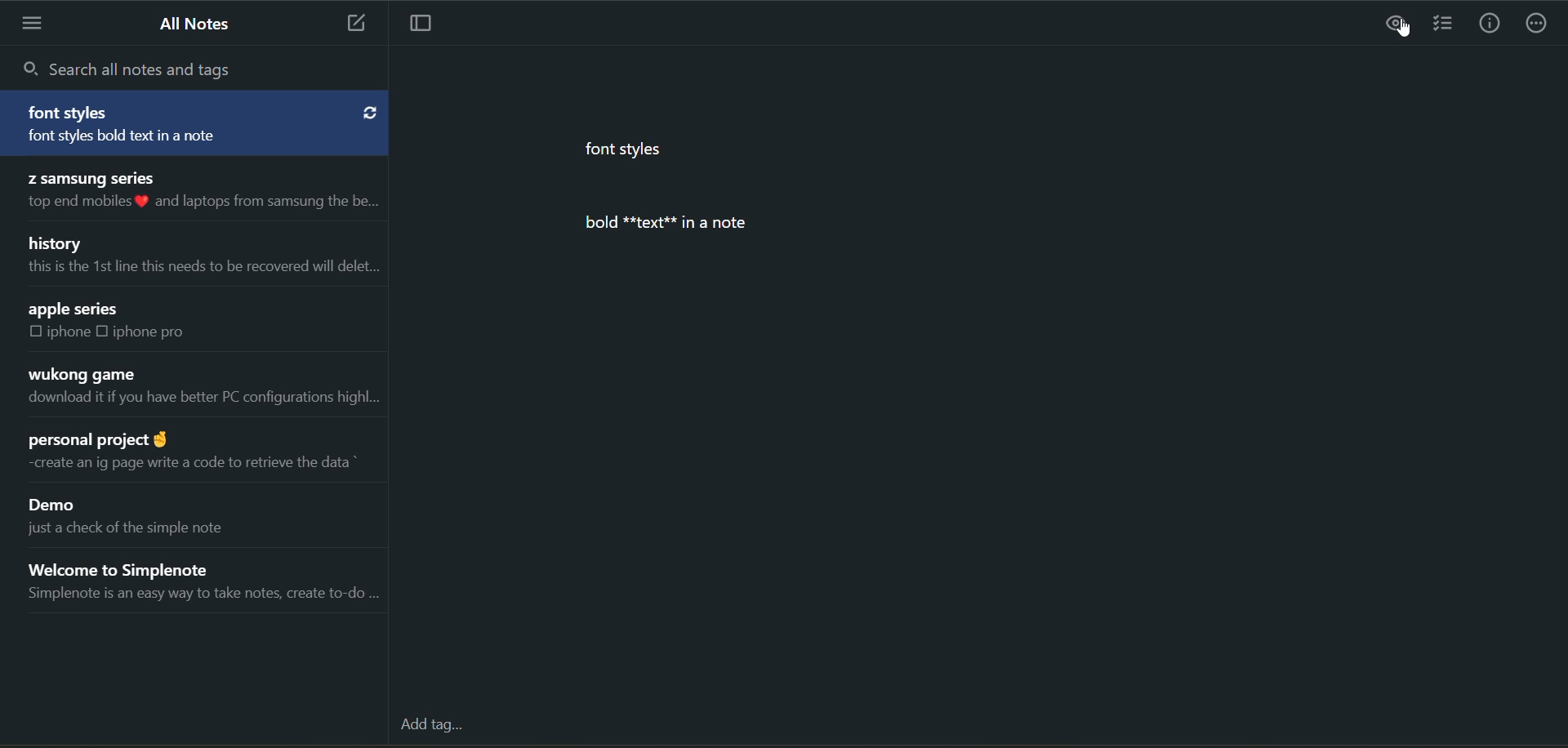  What do you see at coordinates (202, 597) in the screenshot?
I see `Simplenote is an easy way to take notes, create to-do ...` at bounding box center [202, 597].